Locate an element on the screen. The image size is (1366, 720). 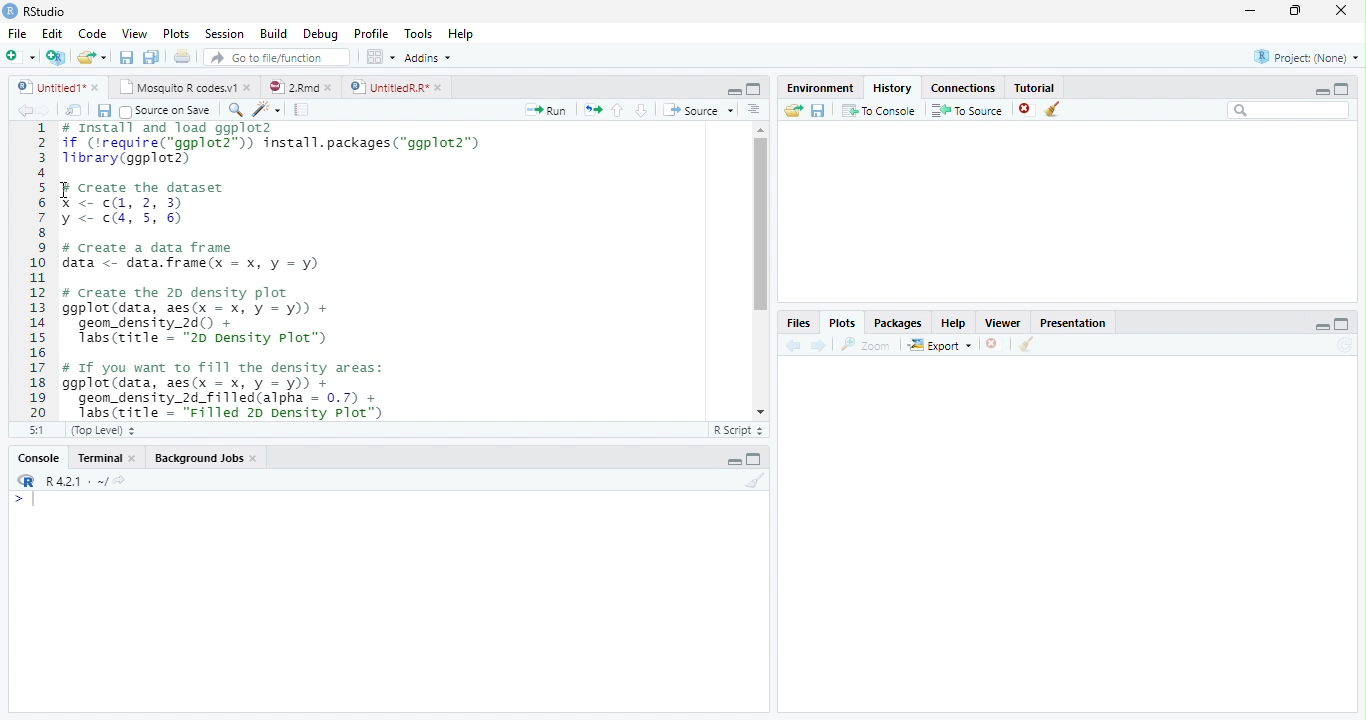
close is located at coordinates (993, 344).